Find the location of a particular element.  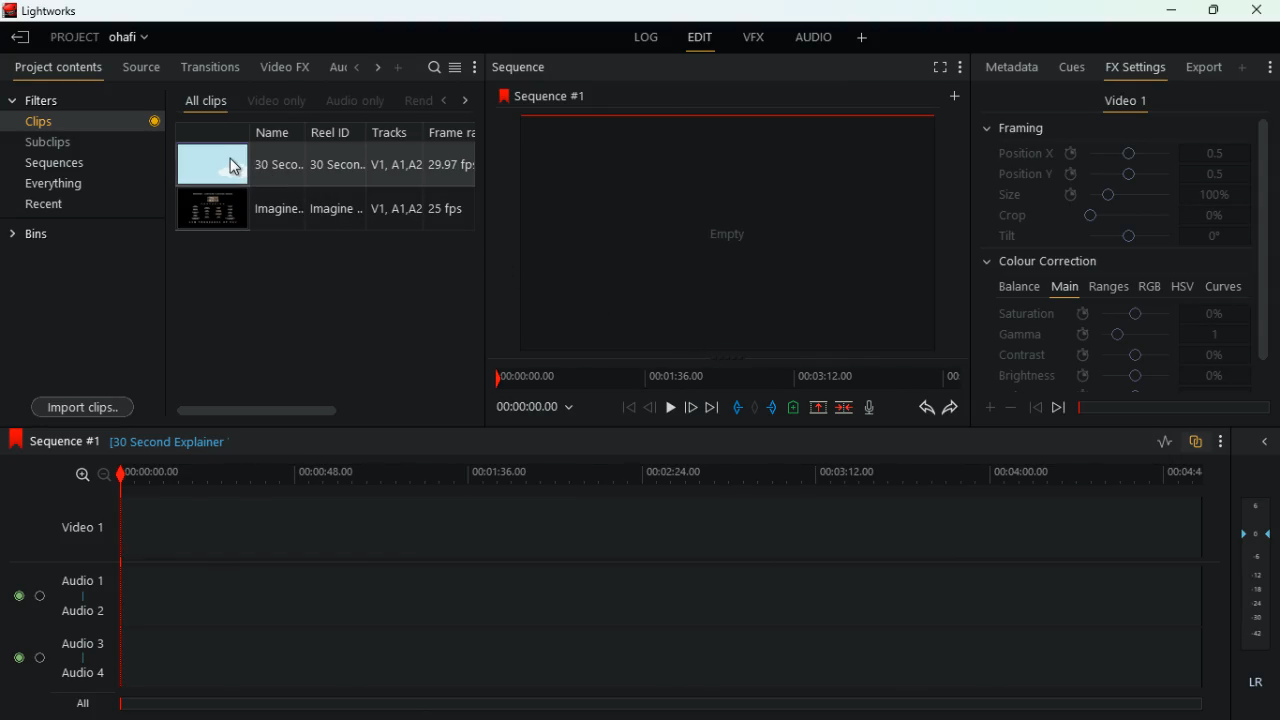

more is located at coordinates (1226, 441).